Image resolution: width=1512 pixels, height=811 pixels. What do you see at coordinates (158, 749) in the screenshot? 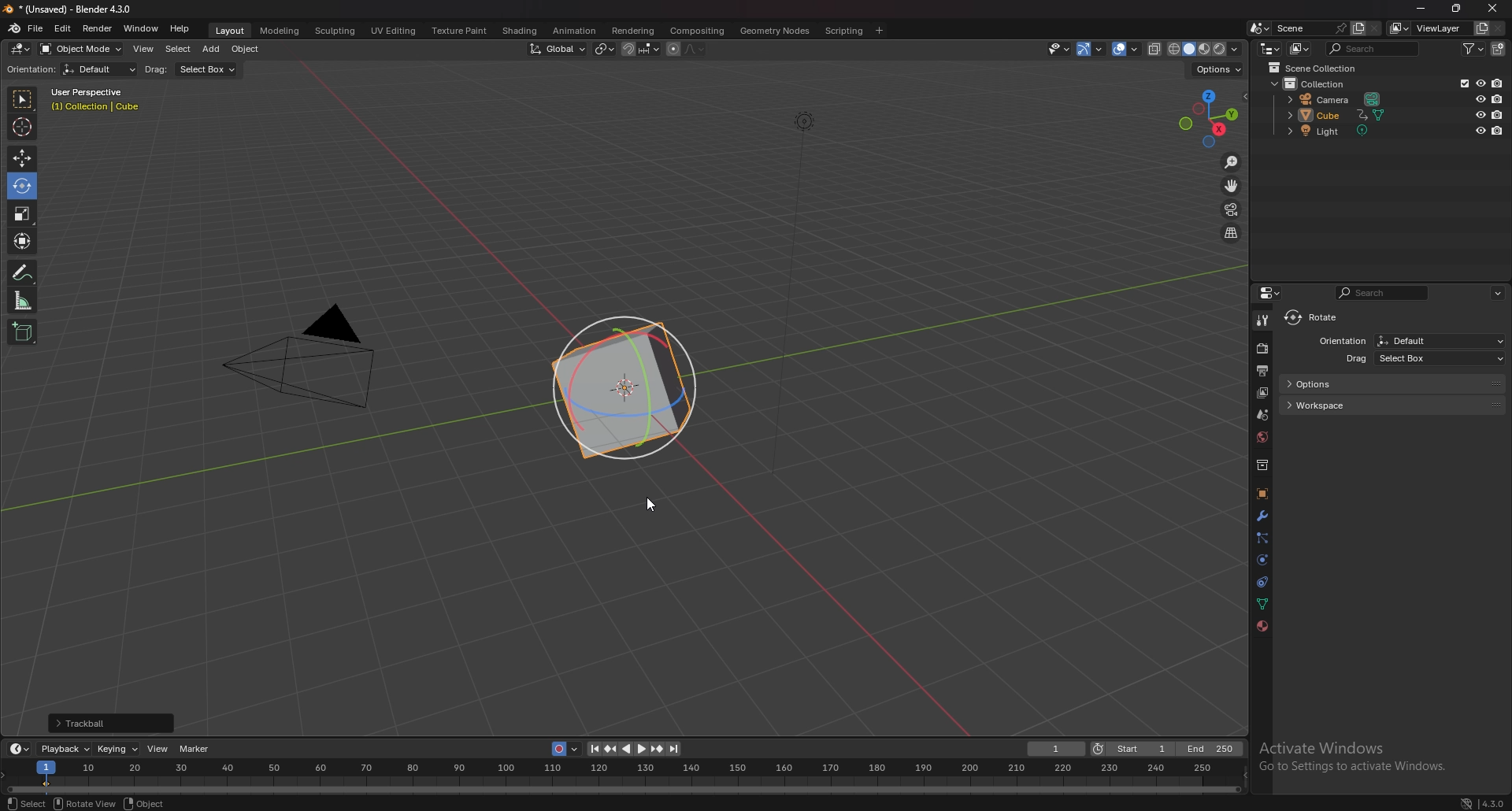
I see `view` at bounding box center [158, 749].